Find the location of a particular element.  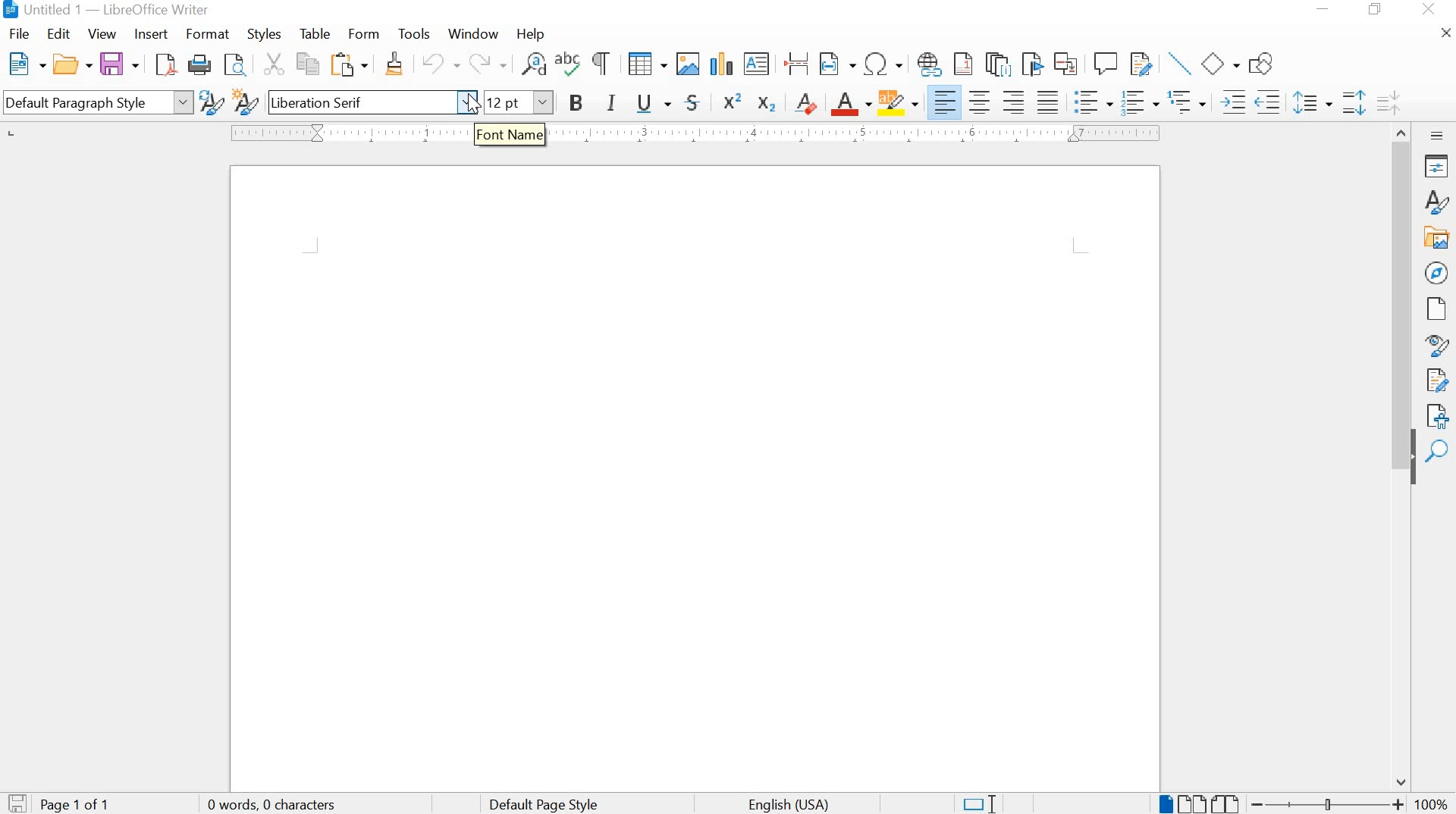

FILE is located at coordinates (21, 34).